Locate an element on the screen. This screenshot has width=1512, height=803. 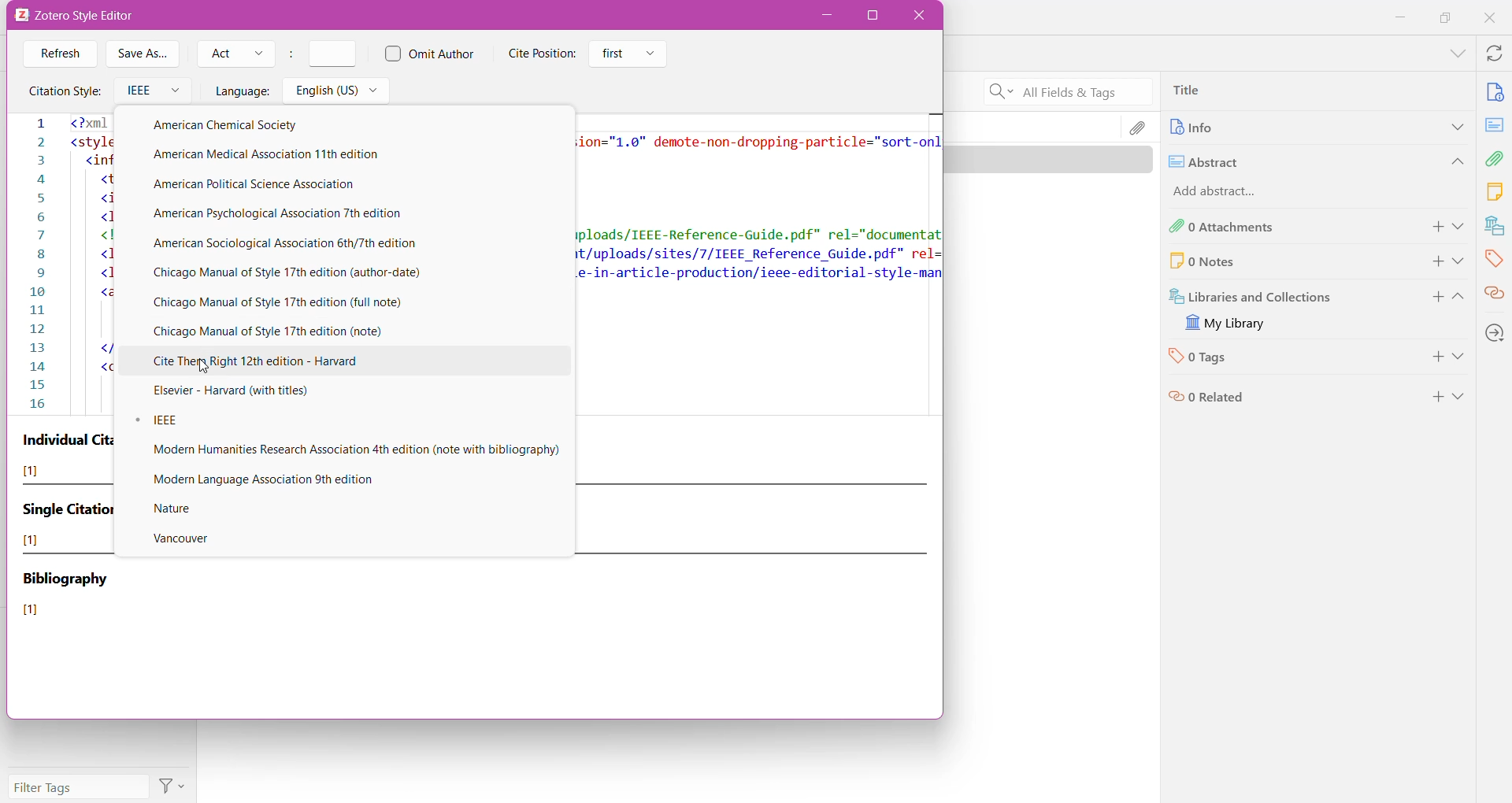
Chicago Manual of Style 17th edition (note) is located at coordinates (293, 331).